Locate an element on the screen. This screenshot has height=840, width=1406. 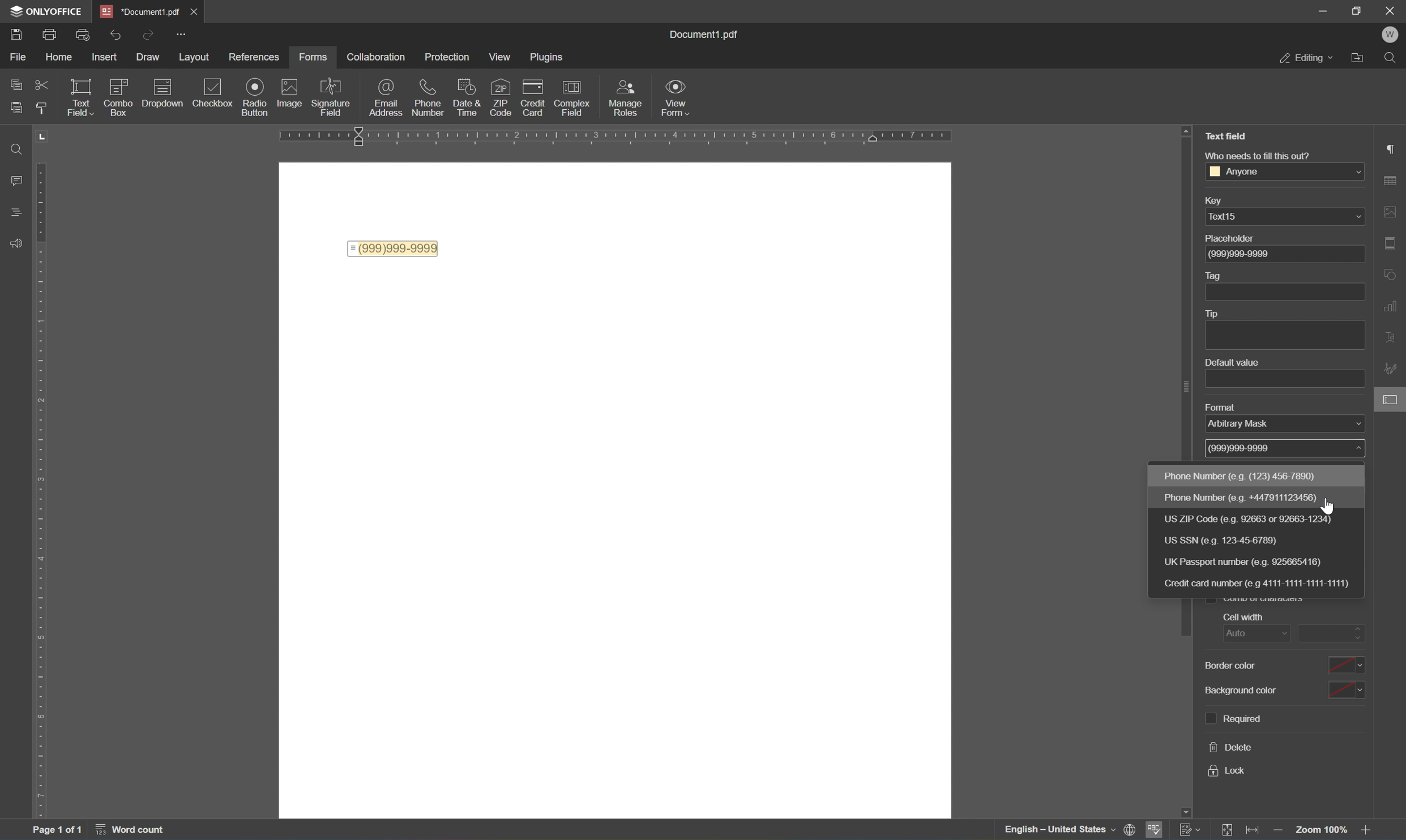
icon is located at coordinates (470, 92).